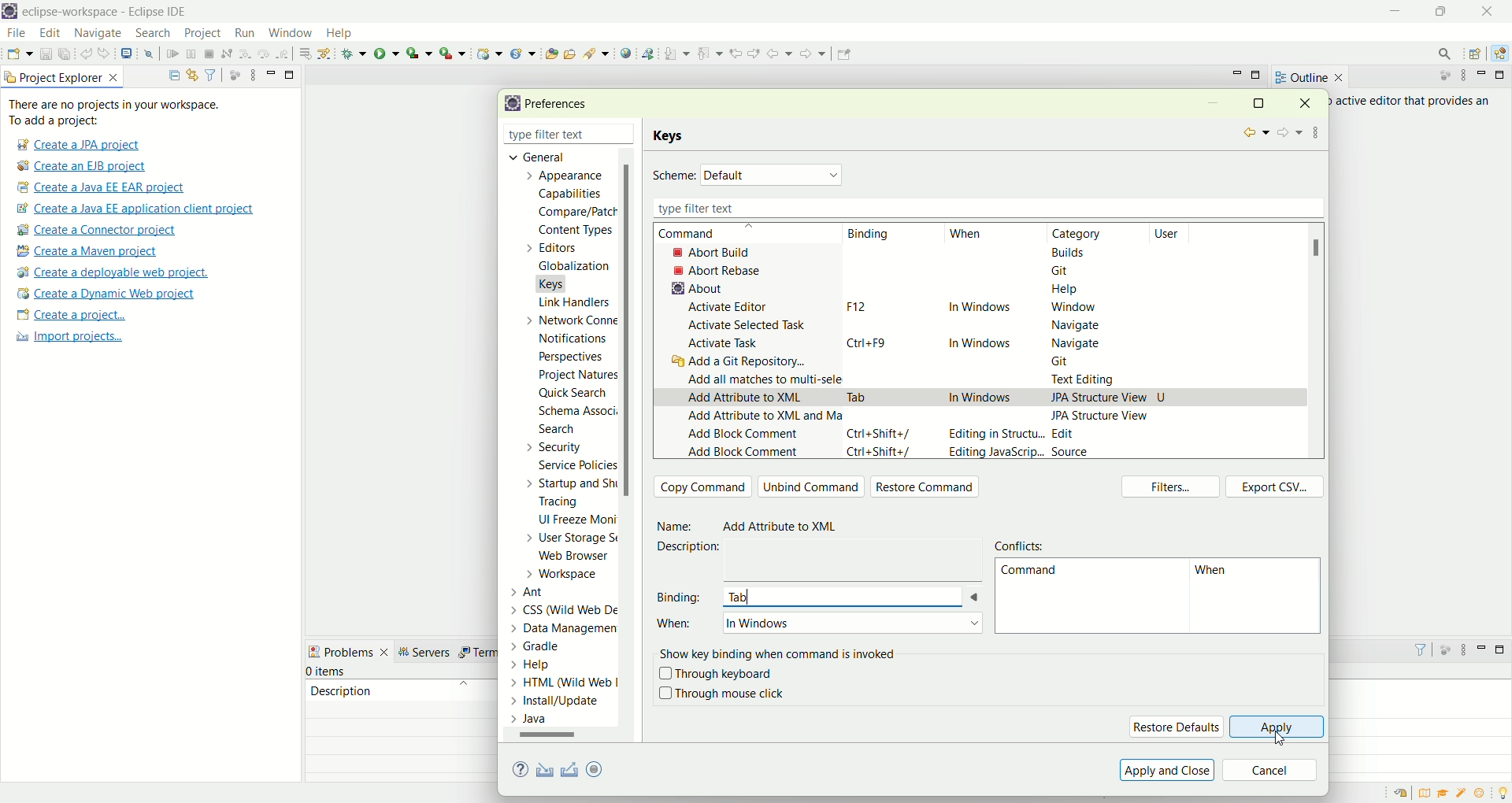 This screenshot has width=1512, height=803. What do you see at coordinates (92, 252) in the screenshot?
I see `create a maven project` at bounding box center [92, 252].